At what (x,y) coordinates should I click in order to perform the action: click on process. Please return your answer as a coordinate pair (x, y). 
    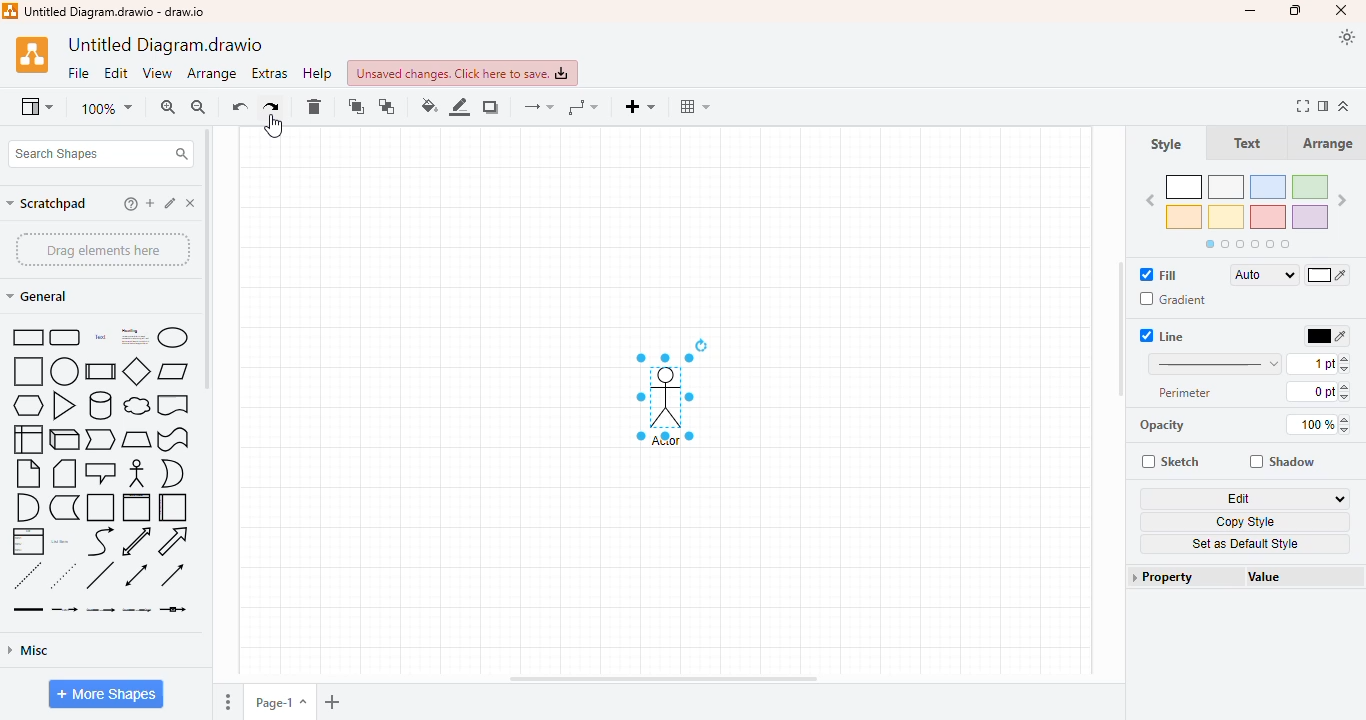
    Looking at the image, I should click on (100, 371).